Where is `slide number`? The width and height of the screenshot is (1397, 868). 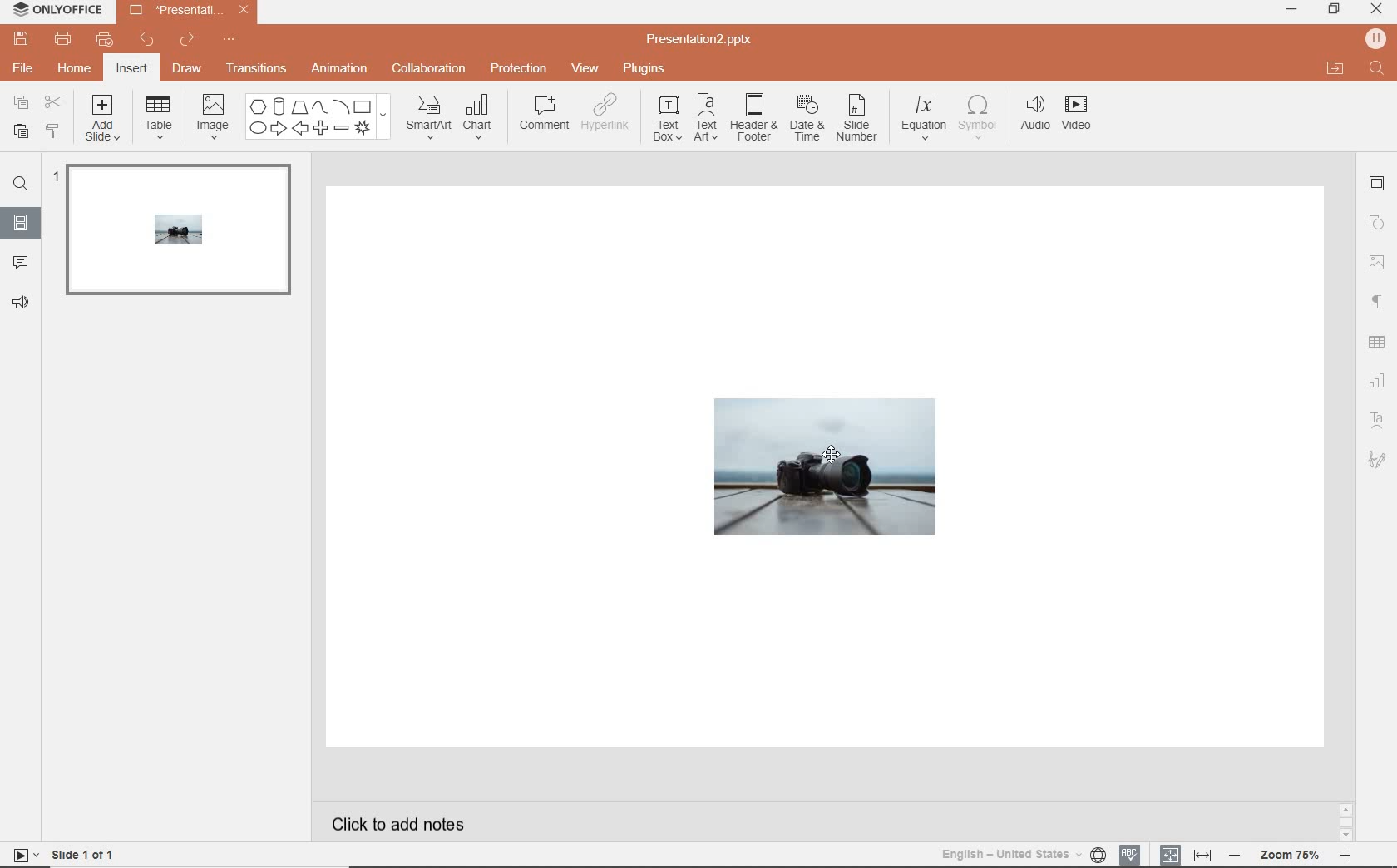 slide number is located at coordinates (860, 117).